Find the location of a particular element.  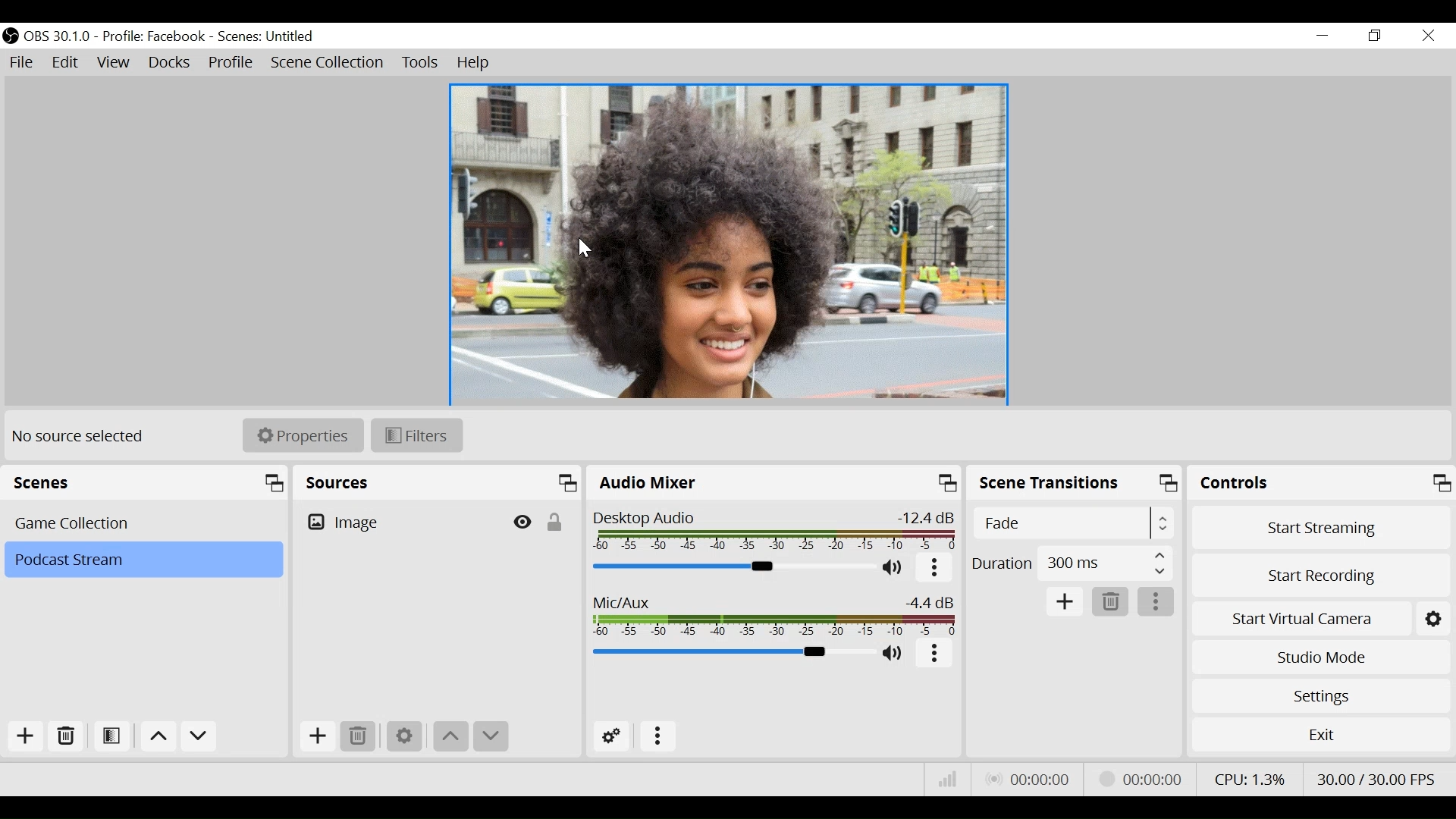

Studio Mode is located at coordinates (1322, 657).